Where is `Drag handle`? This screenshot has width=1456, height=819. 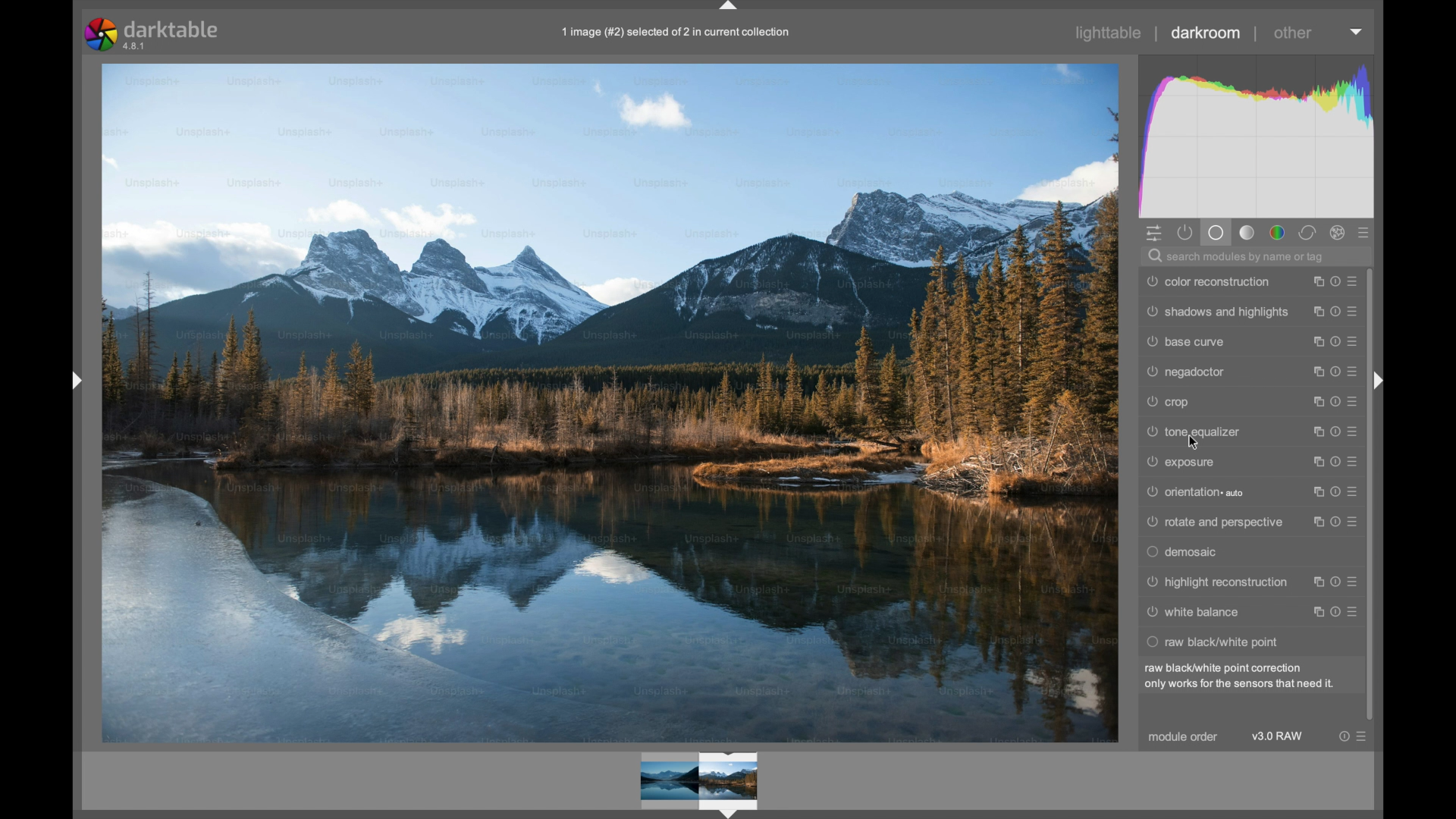
Drag handle is located at coordinates (77, 380).